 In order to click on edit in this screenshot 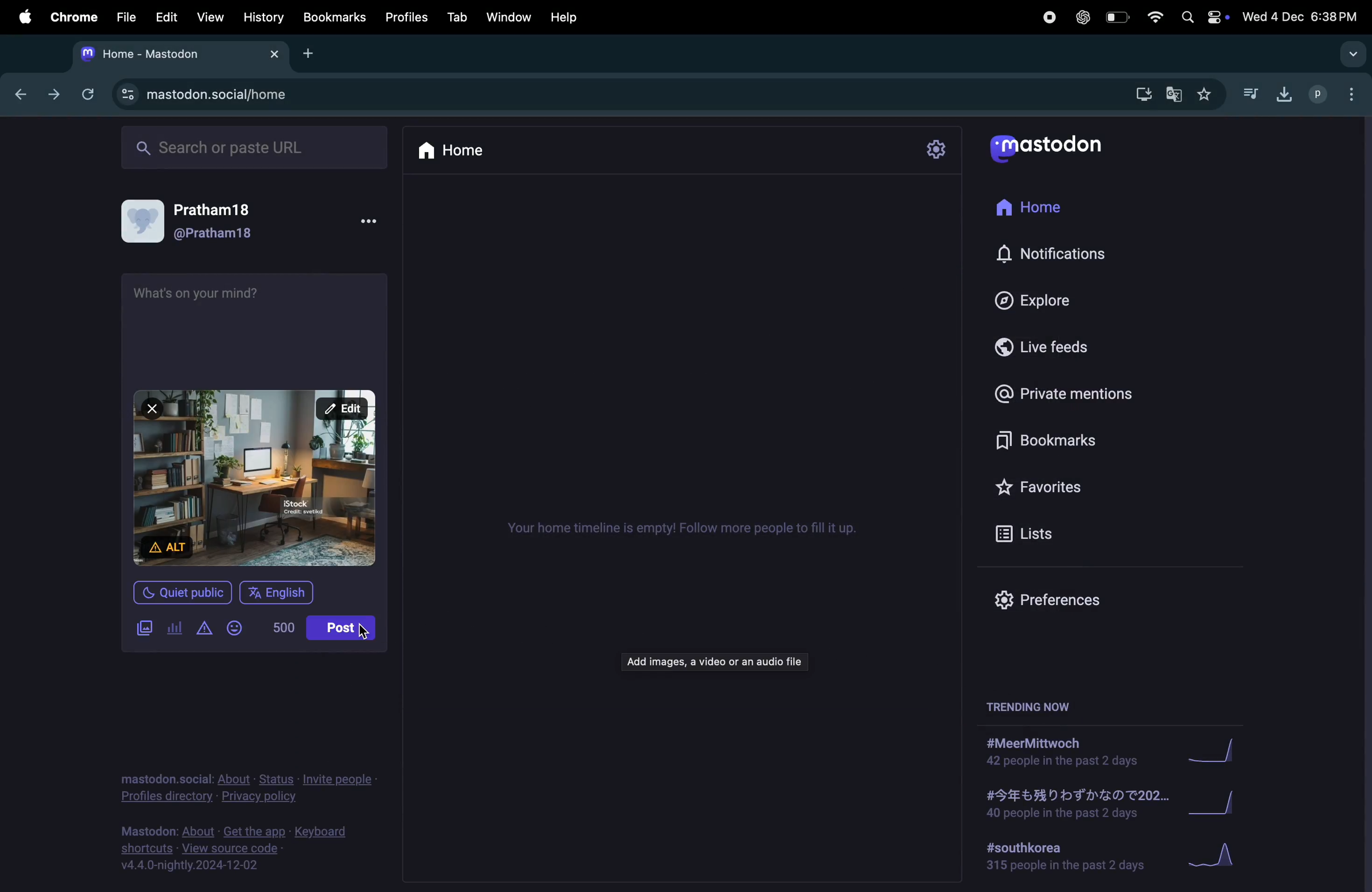, I will do `click(166, 16)`.